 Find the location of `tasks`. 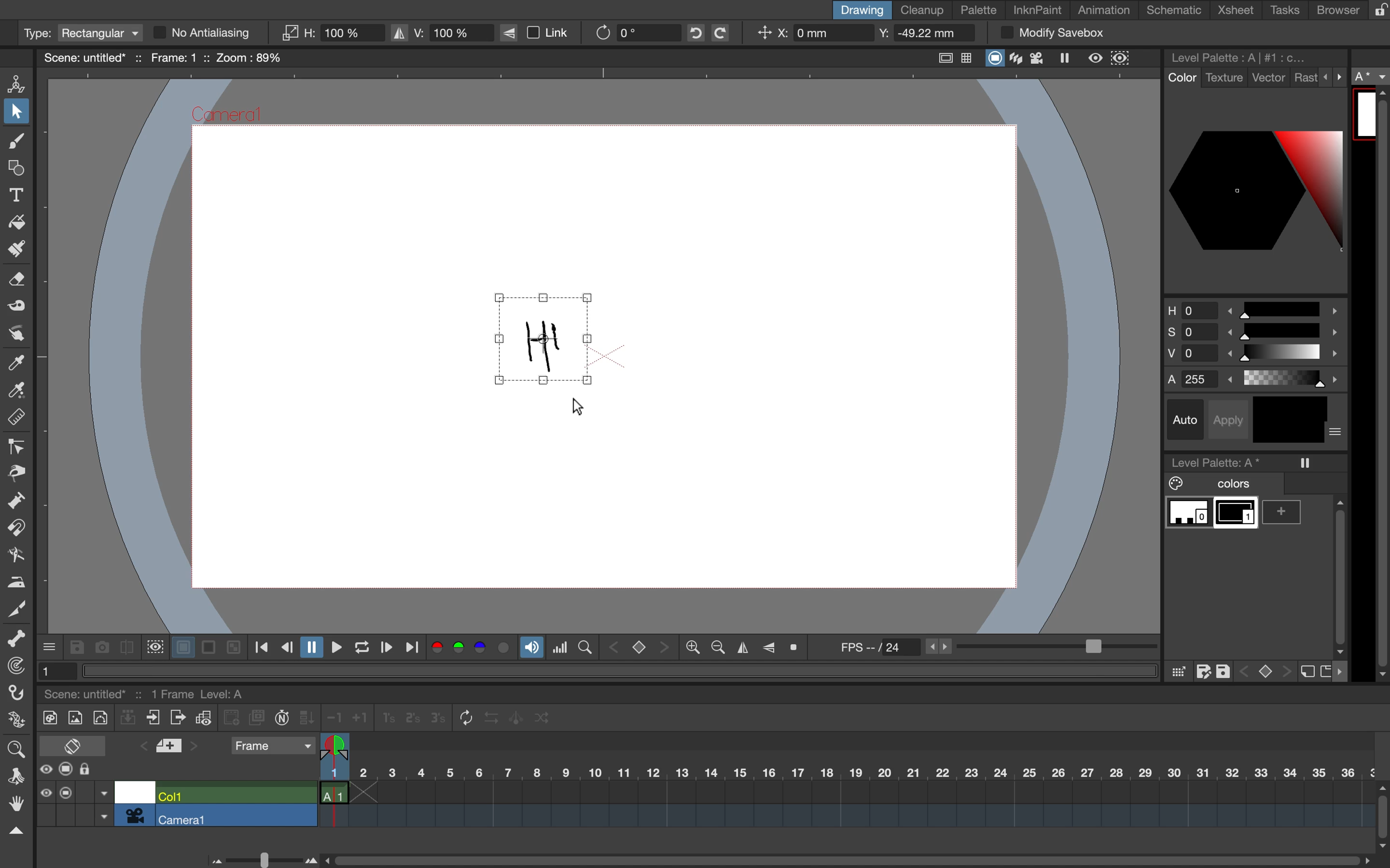

tasks is located at coordinates (1283, 10).